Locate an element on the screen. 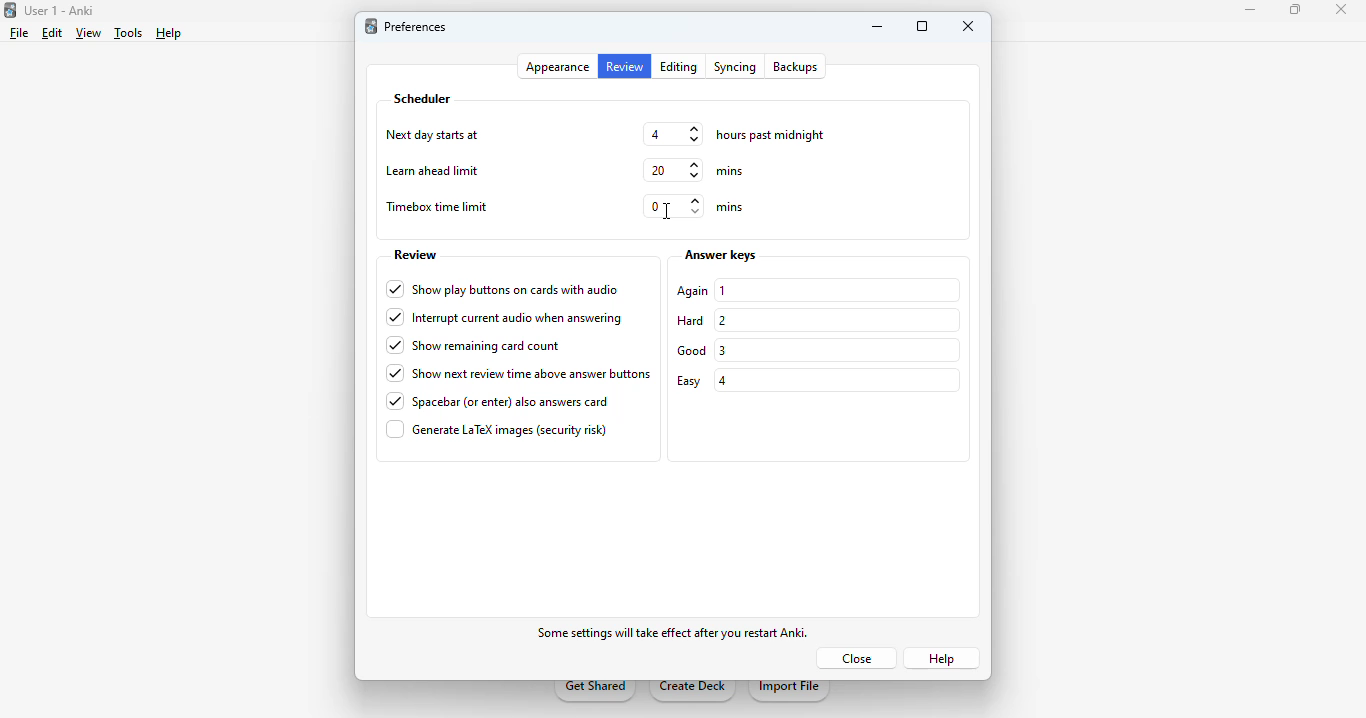 The image size is (1366, 718). mins is located at coordinates (731, 171).